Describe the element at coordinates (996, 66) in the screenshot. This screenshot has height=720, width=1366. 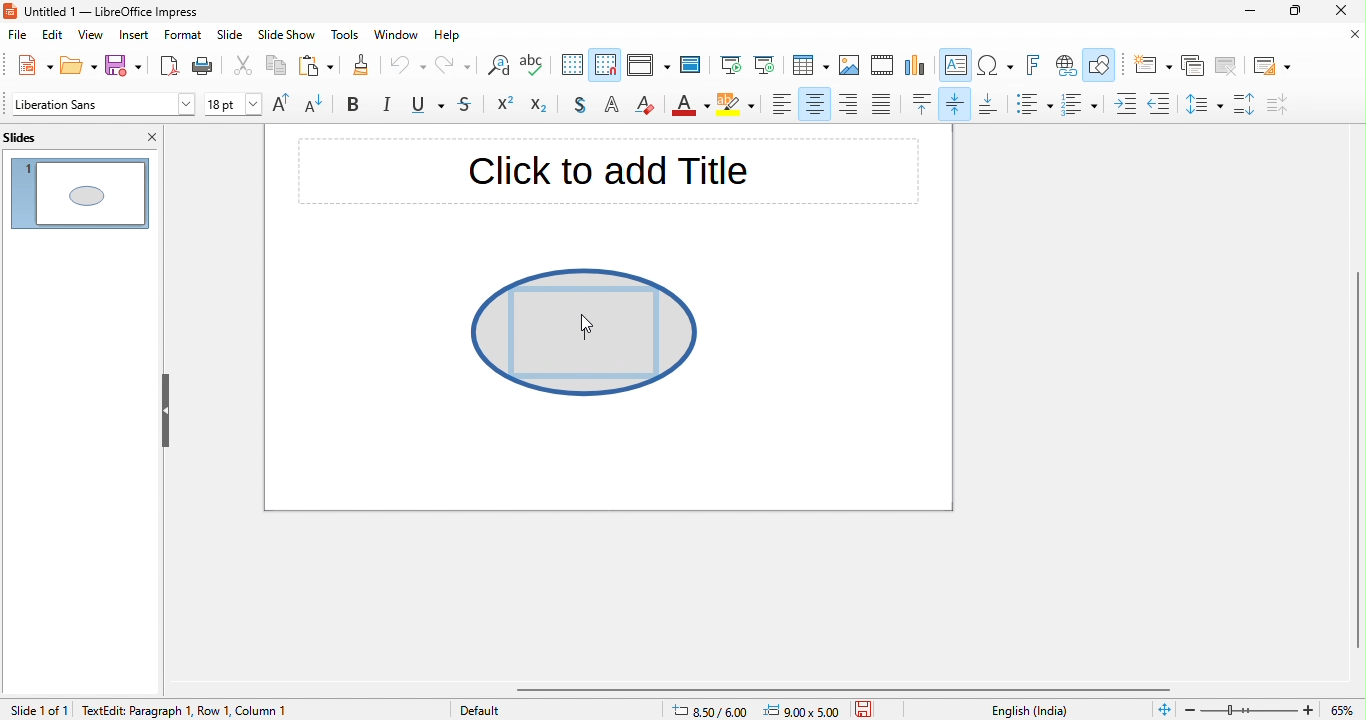
I see `special character` at that location.